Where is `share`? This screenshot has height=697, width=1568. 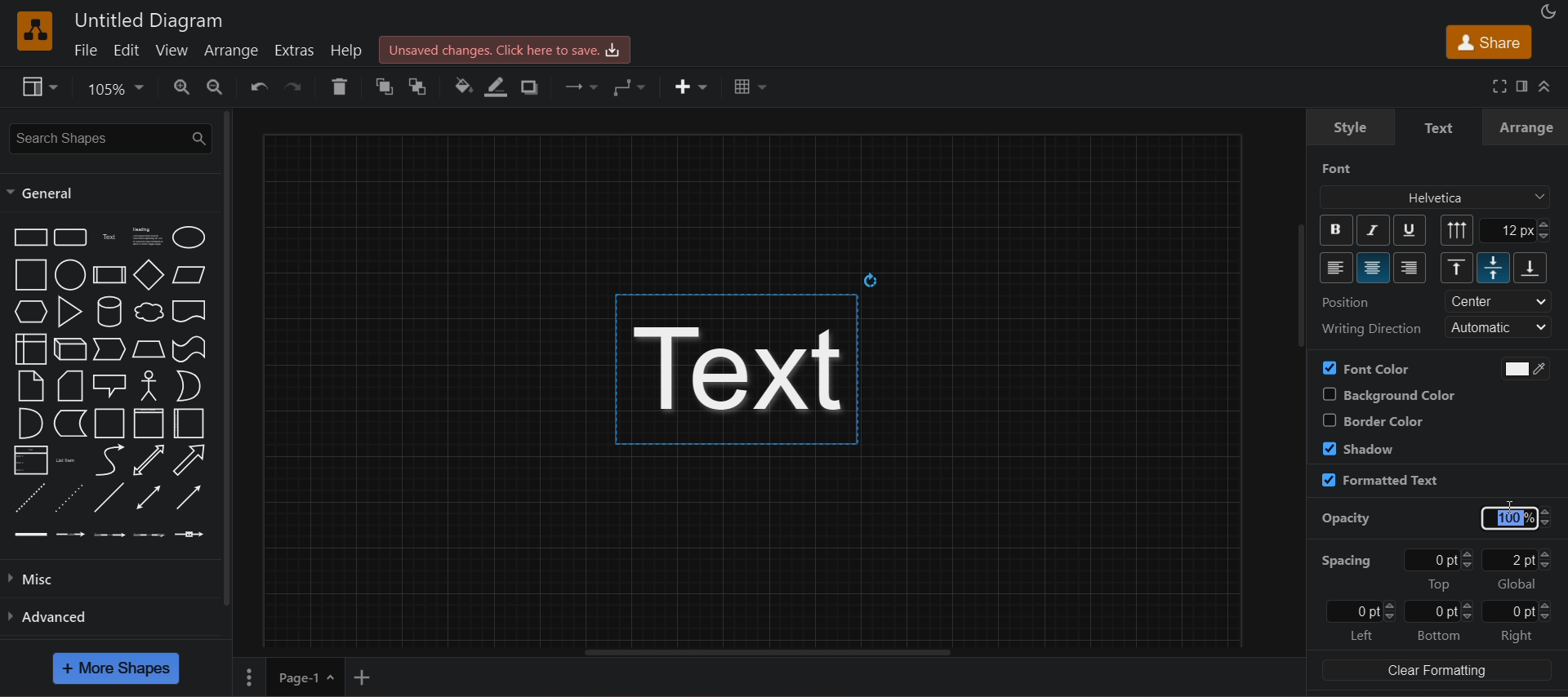 share is located at coordinates (1487, 42).